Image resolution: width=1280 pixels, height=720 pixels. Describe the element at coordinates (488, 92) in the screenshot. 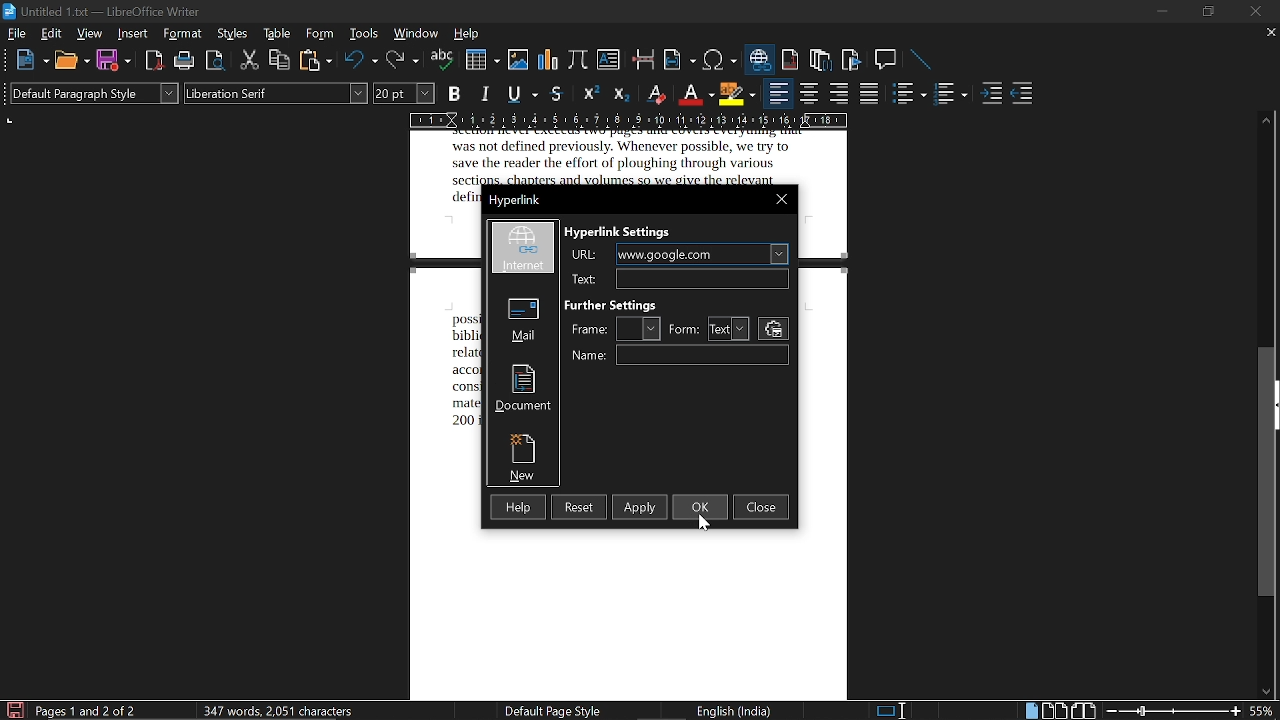

I see `italic` at that location.